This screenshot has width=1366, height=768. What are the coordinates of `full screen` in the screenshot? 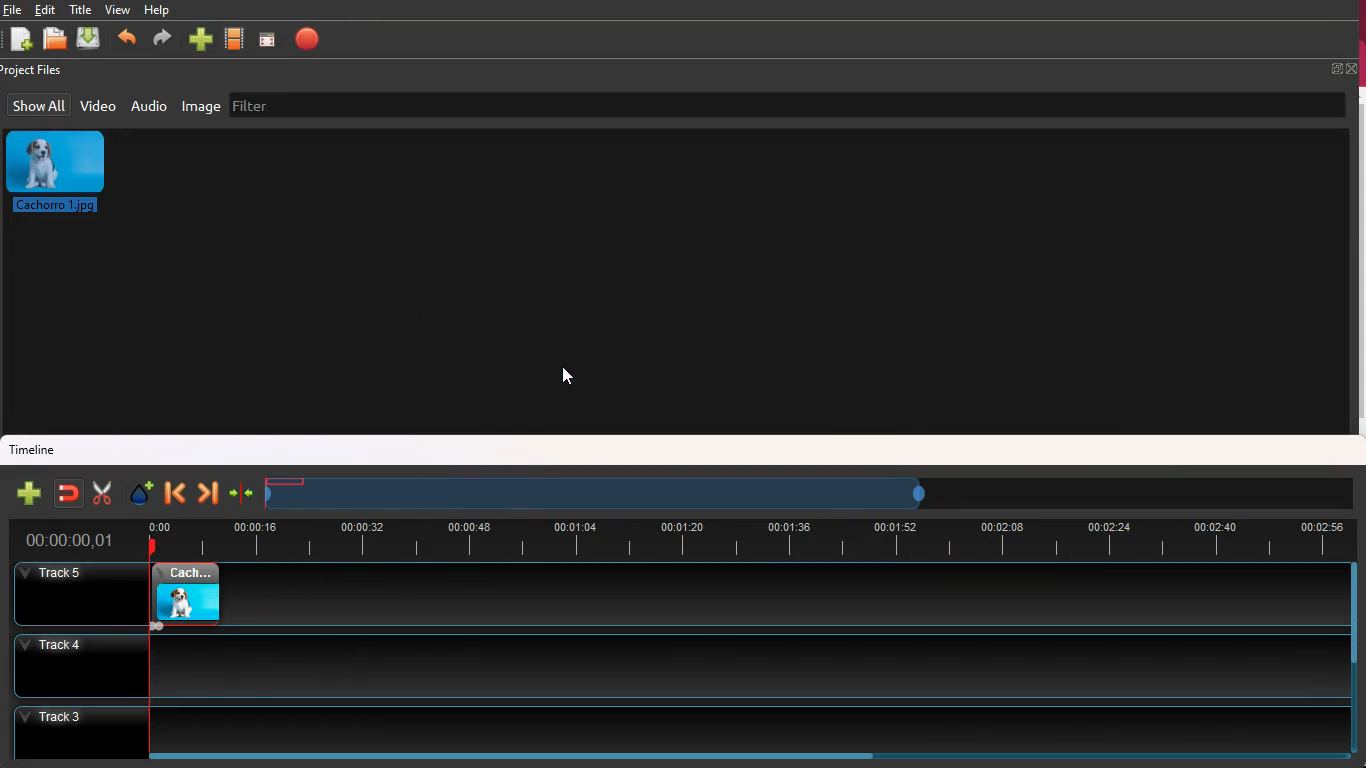 It's located at (1344, 70).